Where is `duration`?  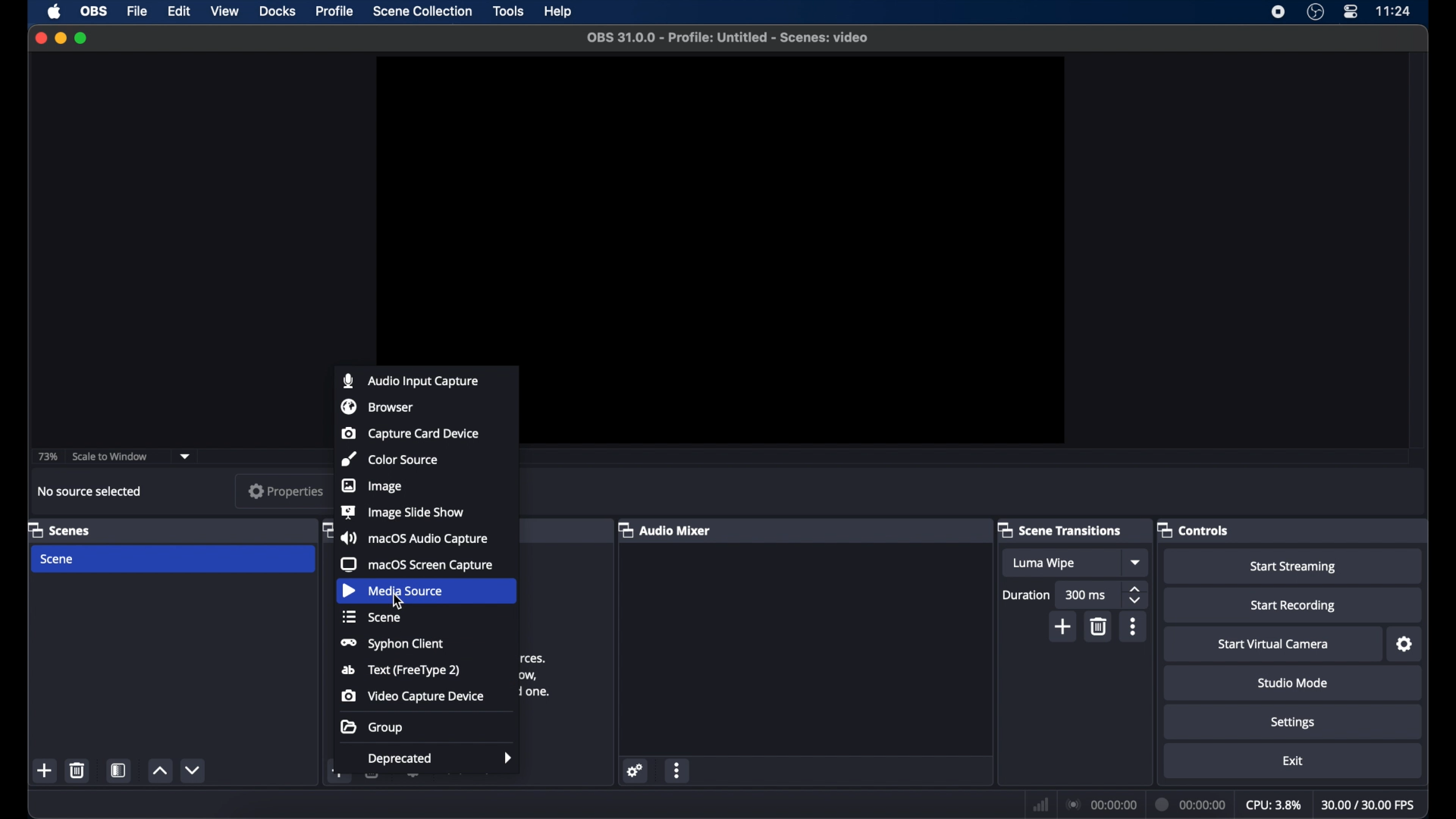 duration is located at coordinates (1025, 595).